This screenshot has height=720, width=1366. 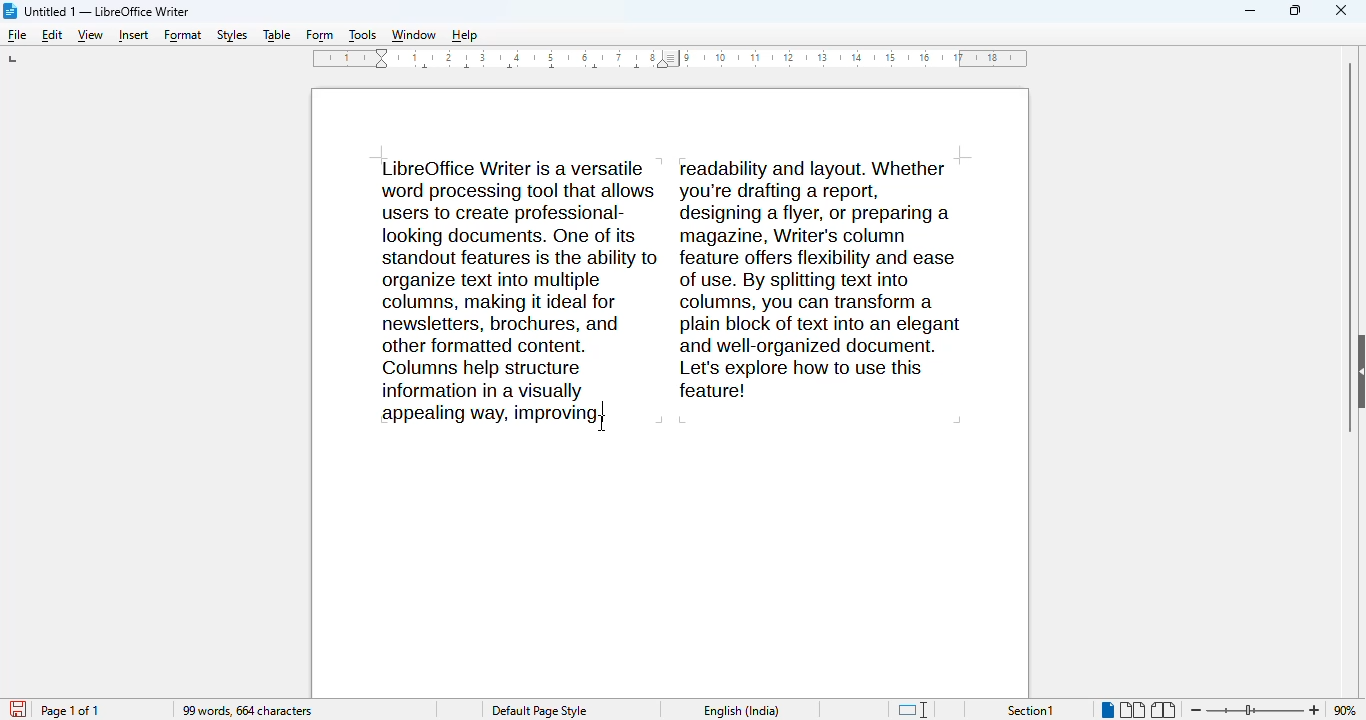 I want to click on table, so click(x=276, y=35).